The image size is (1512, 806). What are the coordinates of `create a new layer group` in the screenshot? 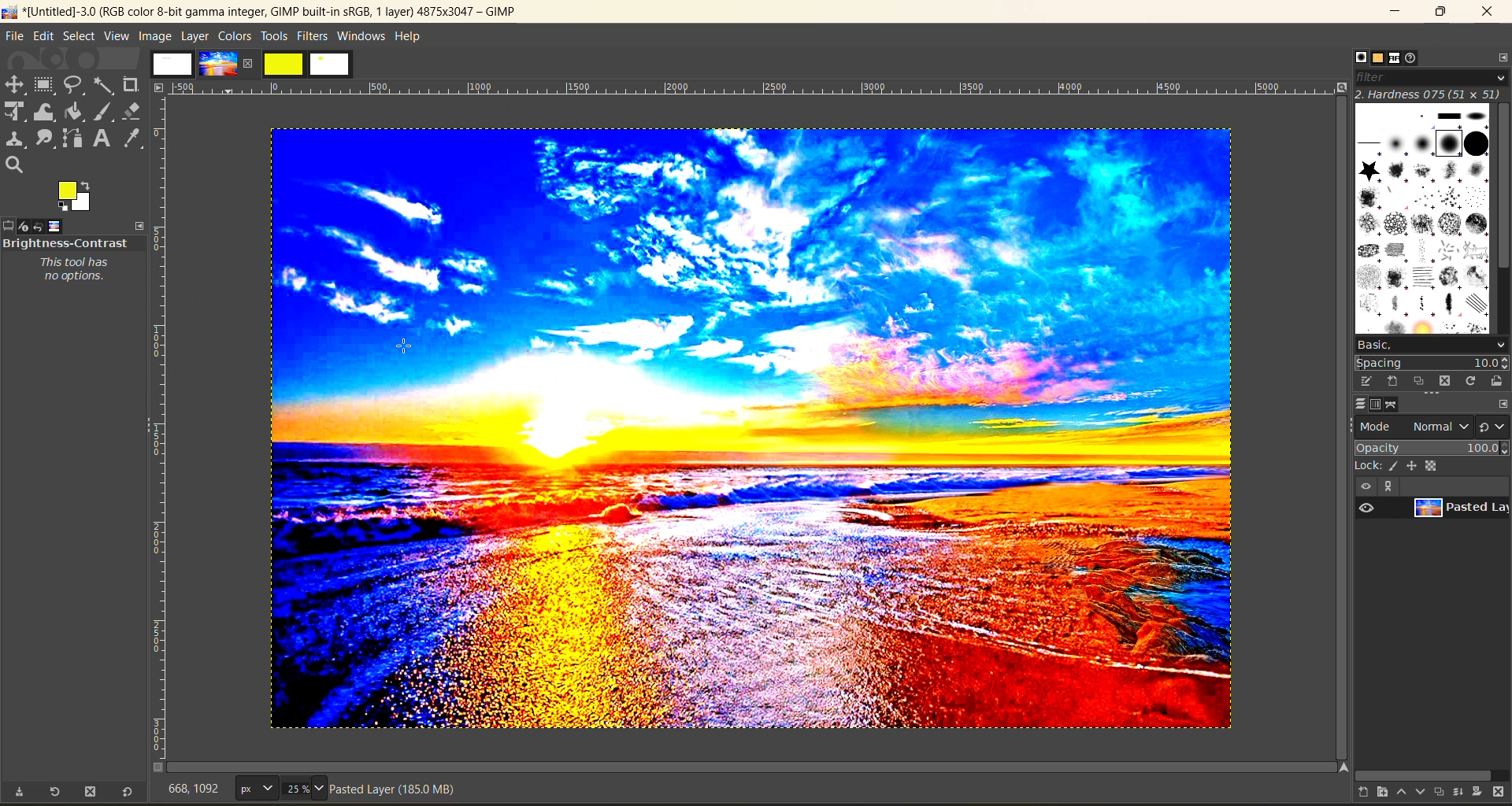 It's located at (1390, 793).